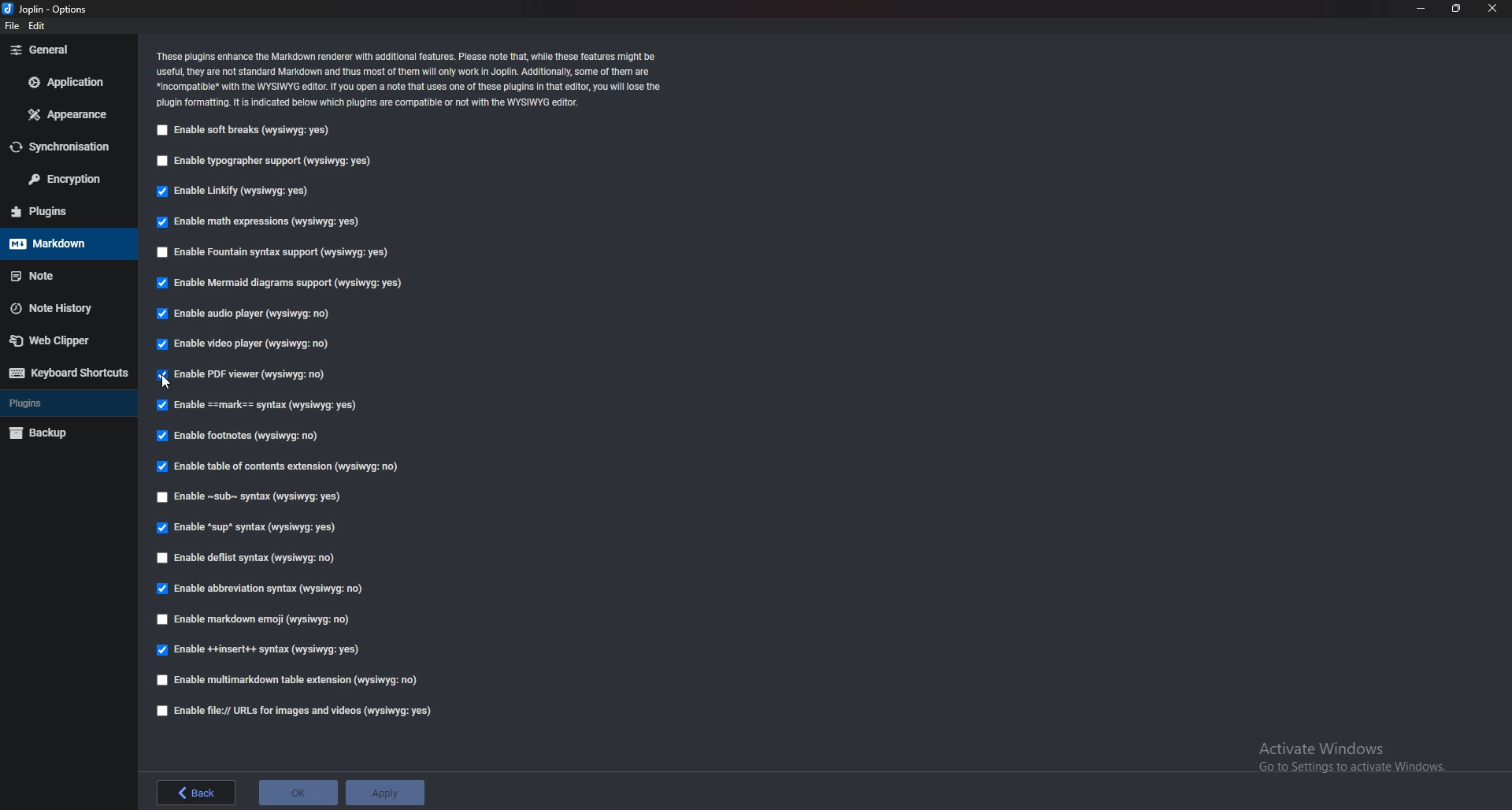  I want to click on Enable file urls for images and videos, so click(293, 711).